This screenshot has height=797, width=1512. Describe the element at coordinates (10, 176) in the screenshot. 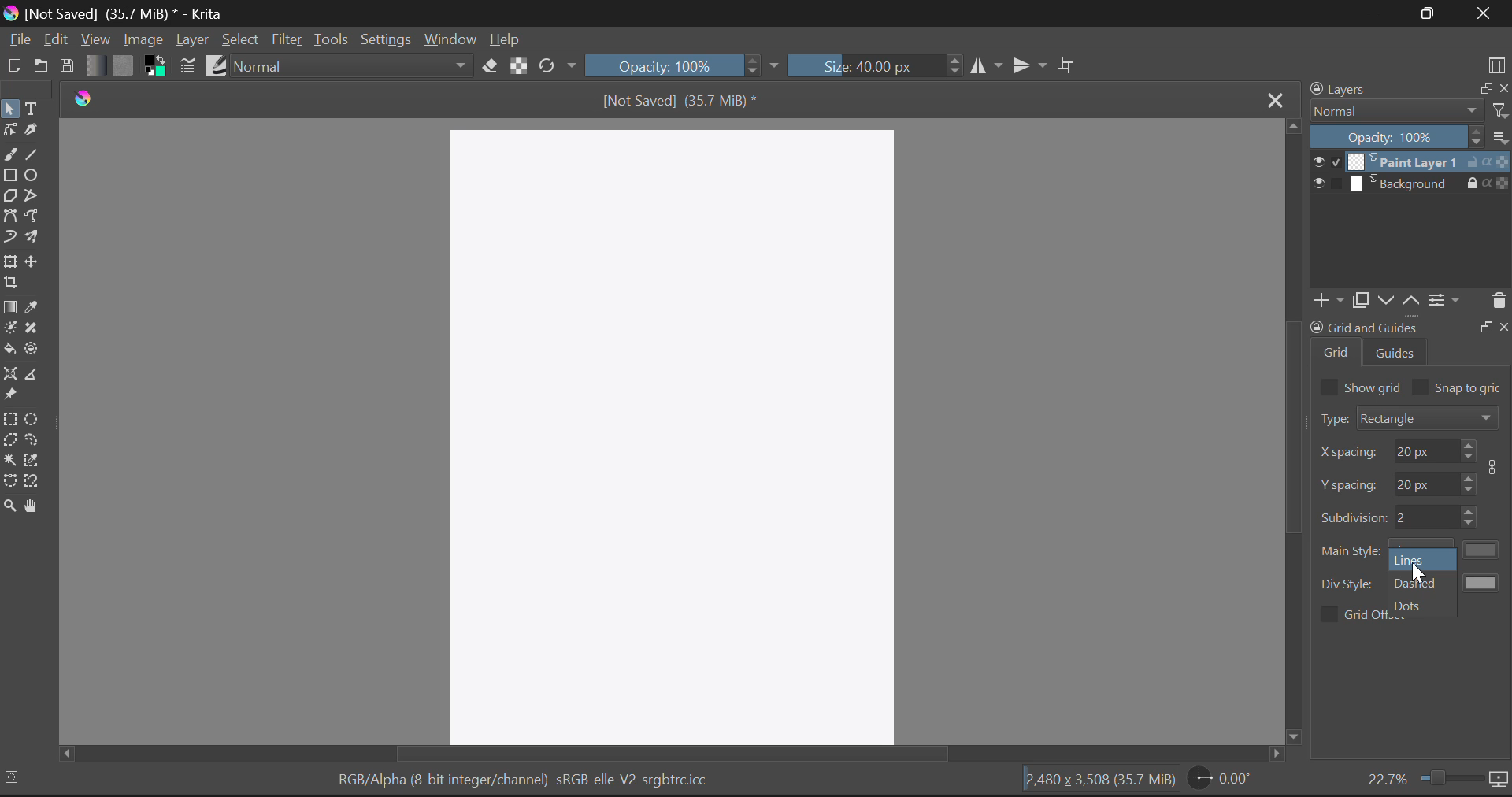

I see `Rectangle` at that location.